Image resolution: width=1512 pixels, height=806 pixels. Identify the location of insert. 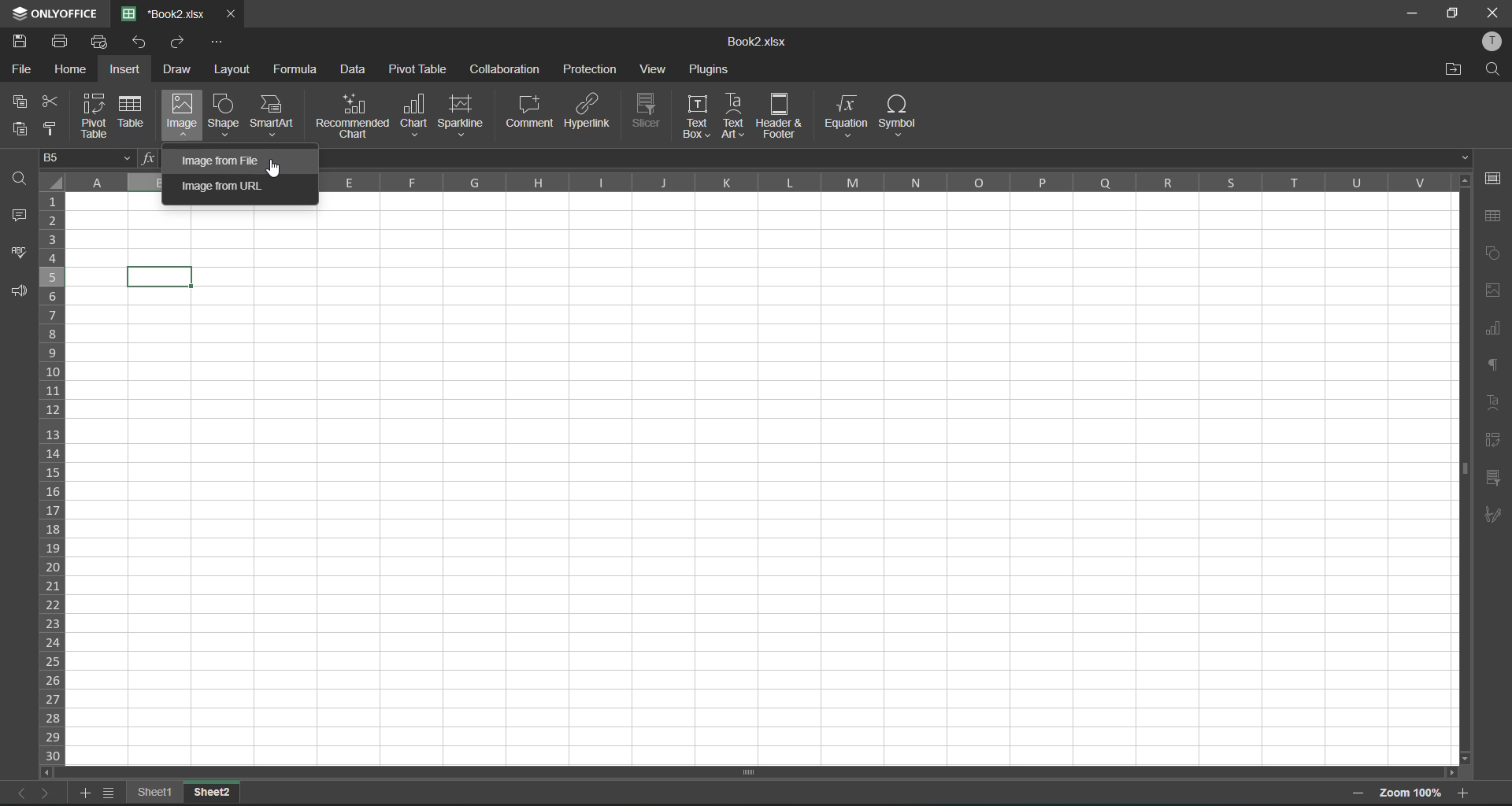
(131, 68).